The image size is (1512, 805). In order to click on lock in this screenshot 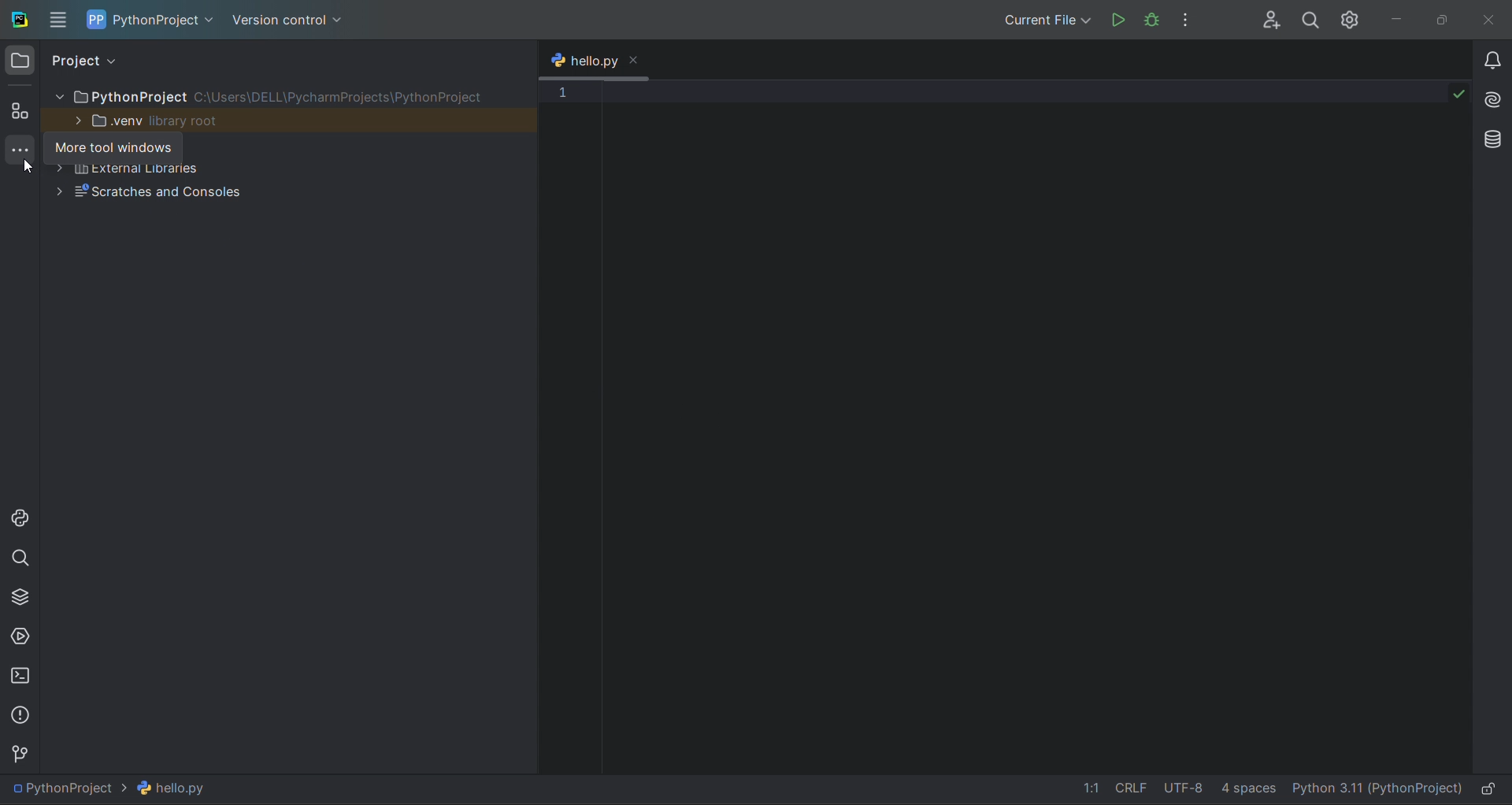, I will do `click(1492, 790)`.